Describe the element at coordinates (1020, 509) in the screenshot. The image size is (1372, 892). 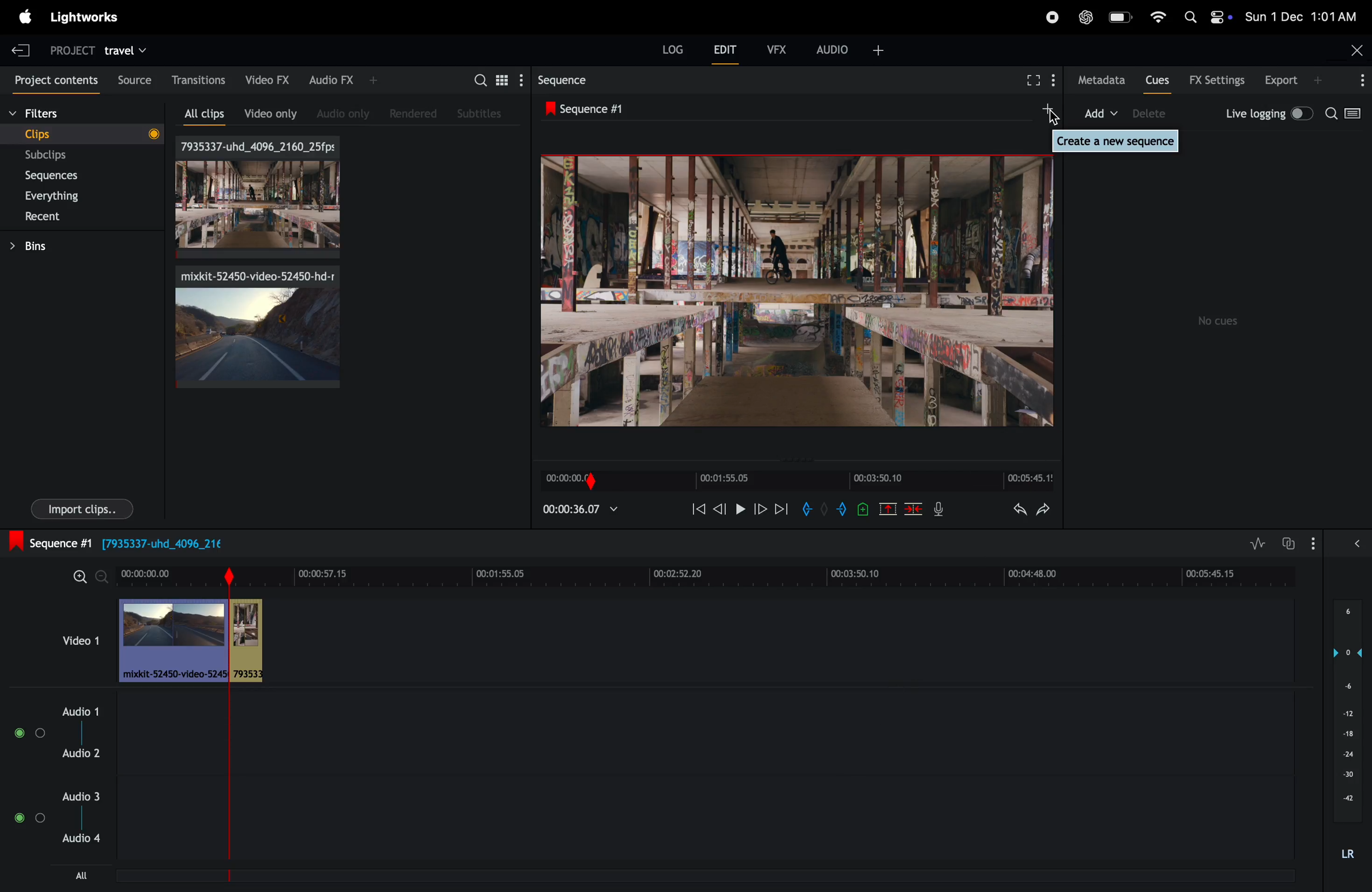
I see `undo` at that location.